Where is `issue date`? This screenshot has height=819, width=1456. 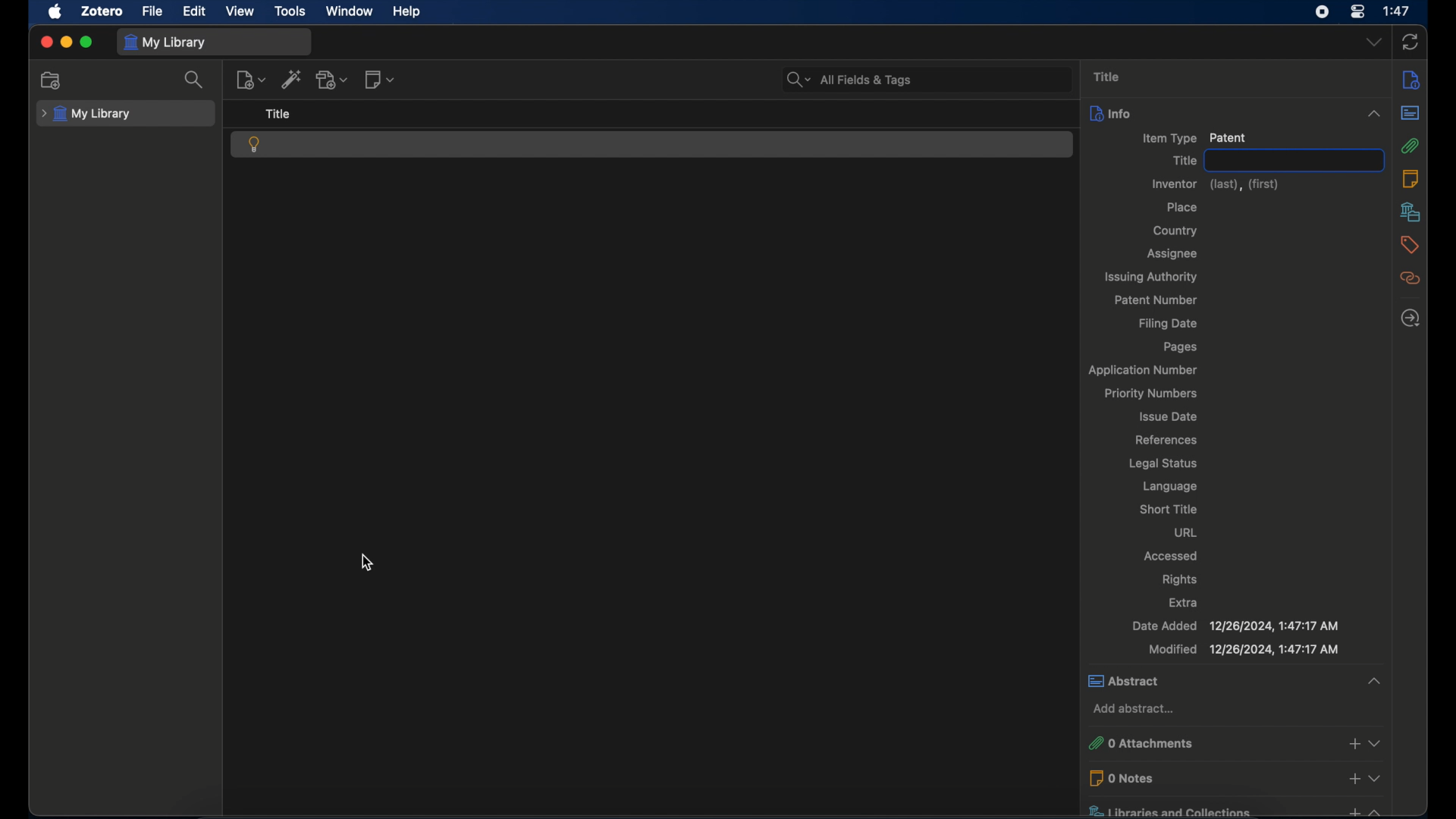
issue date is located at coordinates (1166, 416).